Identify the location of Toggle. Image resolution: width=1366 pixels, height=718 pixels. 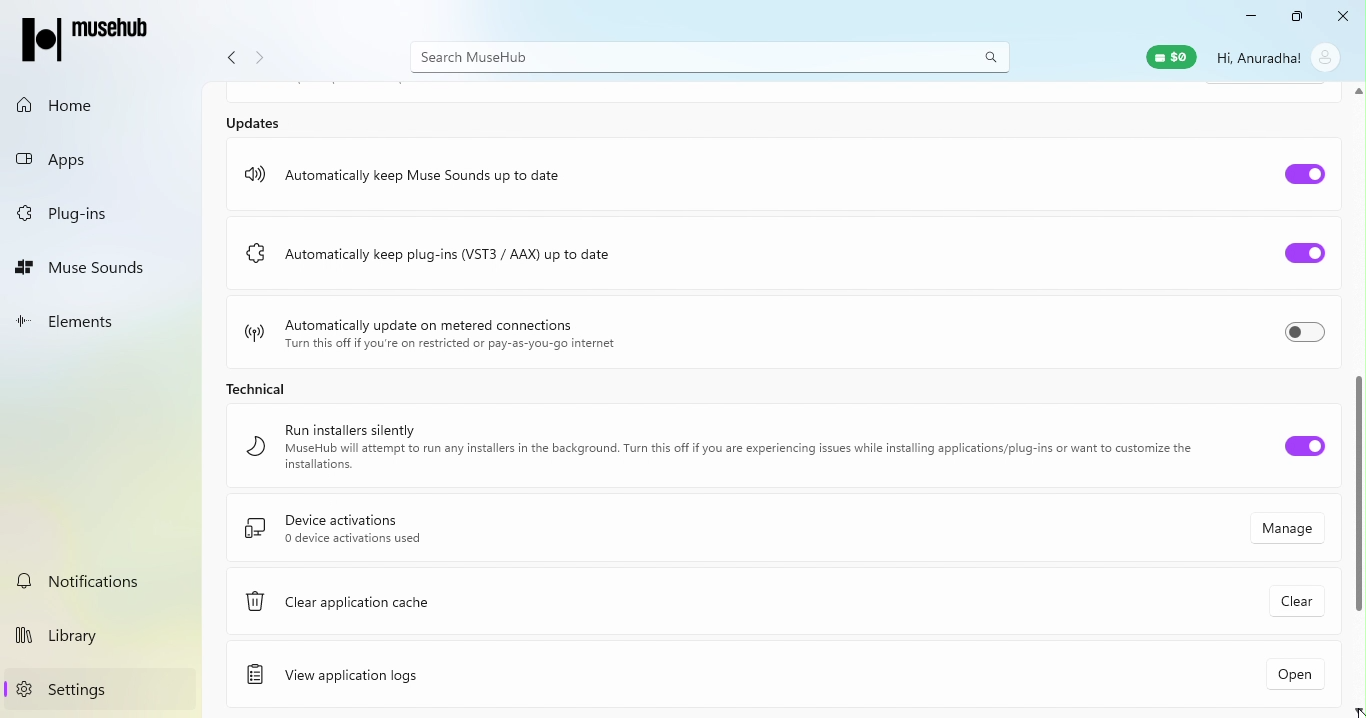
(1301, 332).